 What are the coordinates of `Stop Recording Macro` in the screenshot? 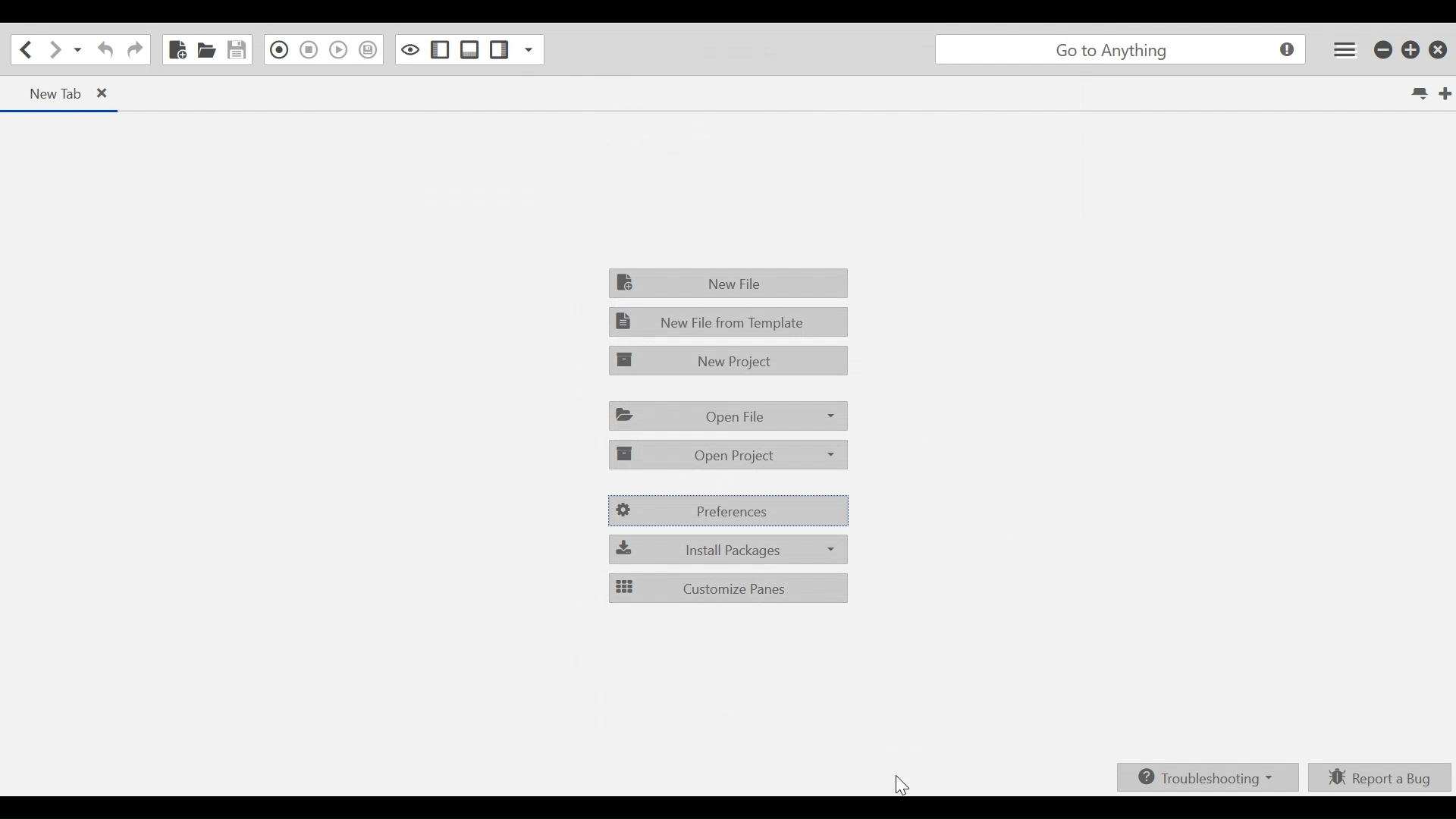 It's located at (309, 49).